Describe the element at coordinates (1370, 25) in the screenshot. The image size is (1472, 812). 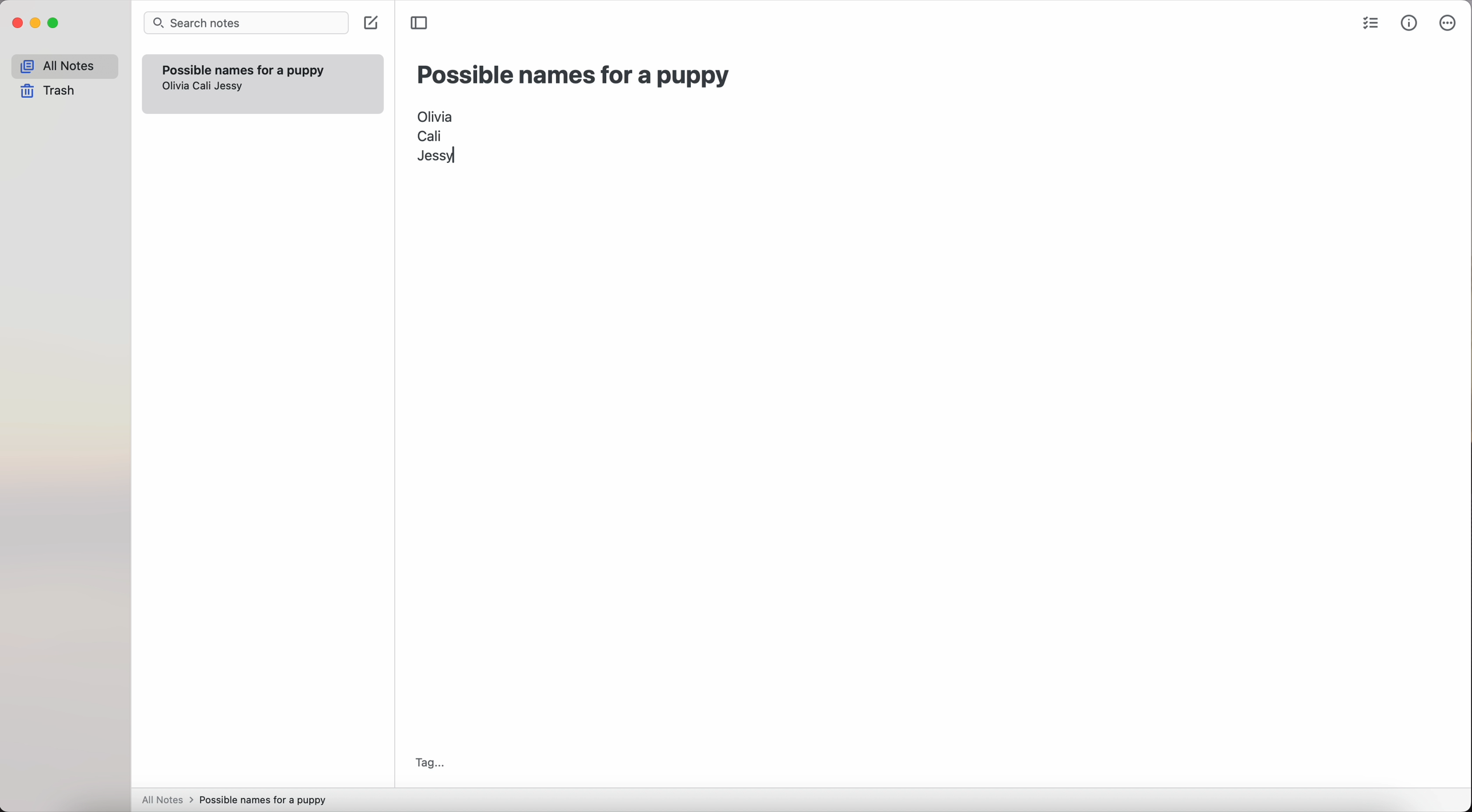
I see `check list` at that location.